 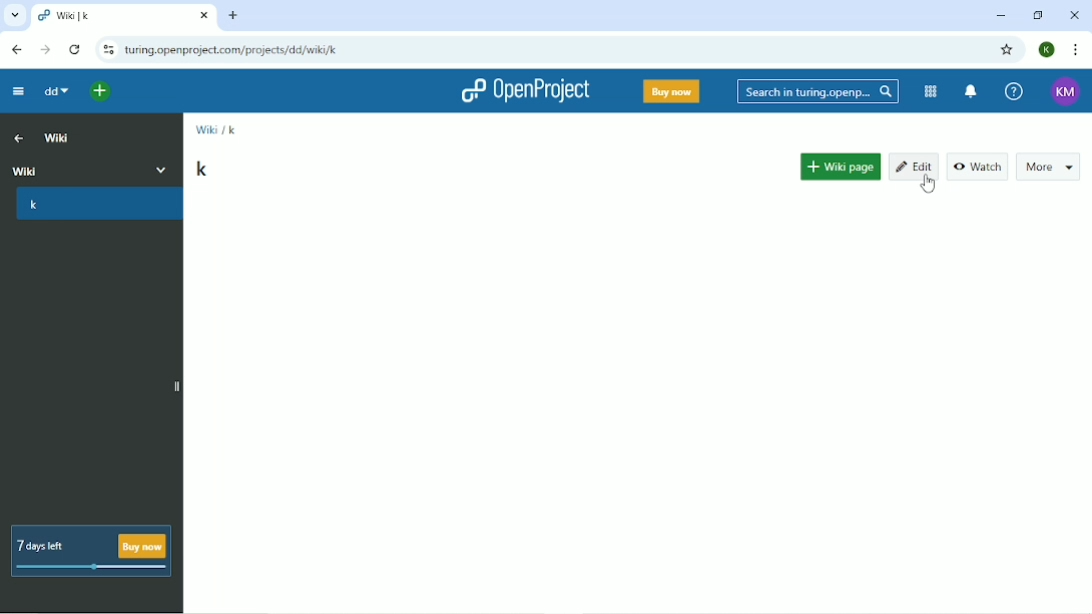 What do you see at coordinates (1074, 49) in the screenshot?
I see `Customize and control google chrome` at bounding box center [1074, 49].